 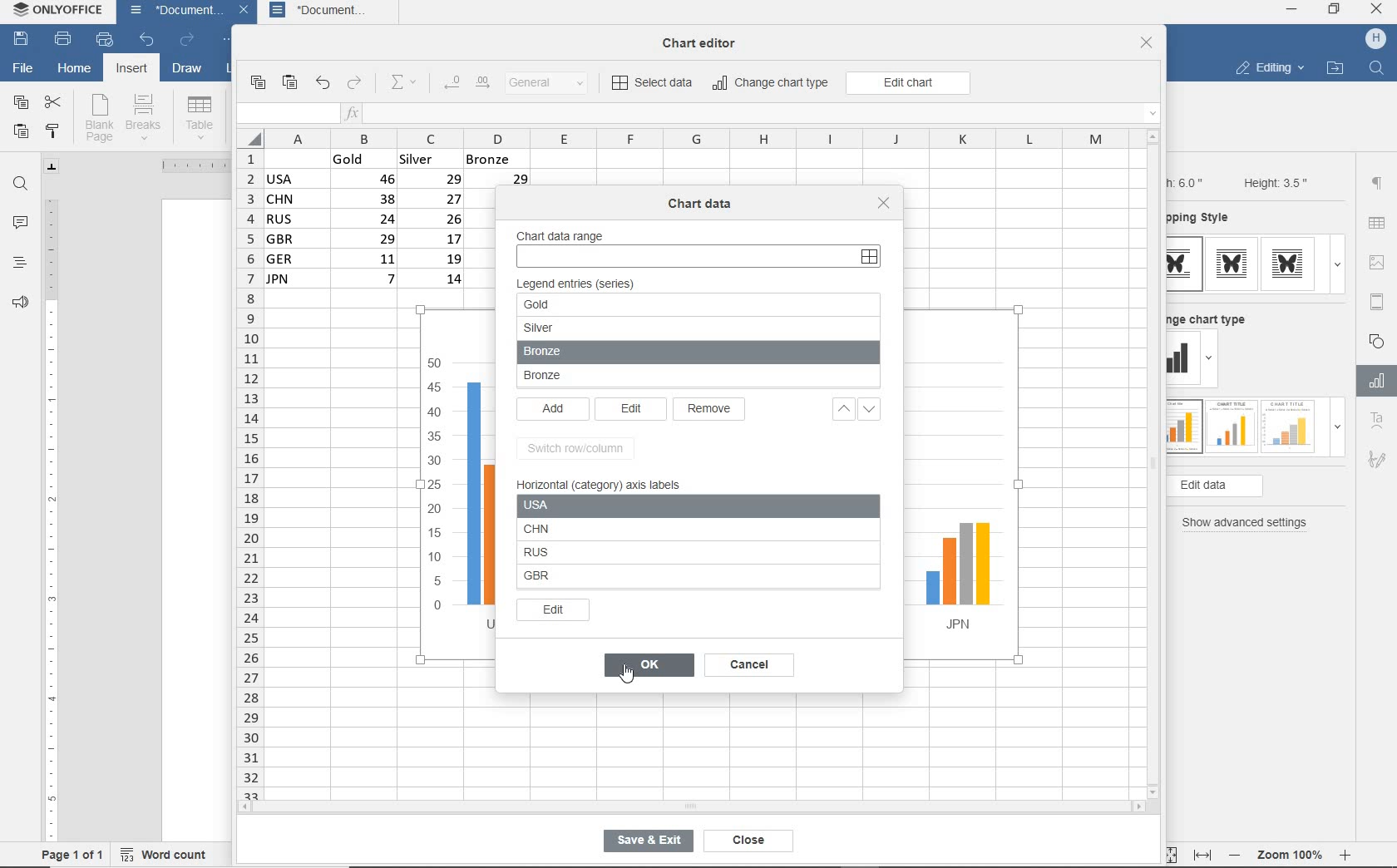 I want to click on CHN, so click(x=672, y=528).